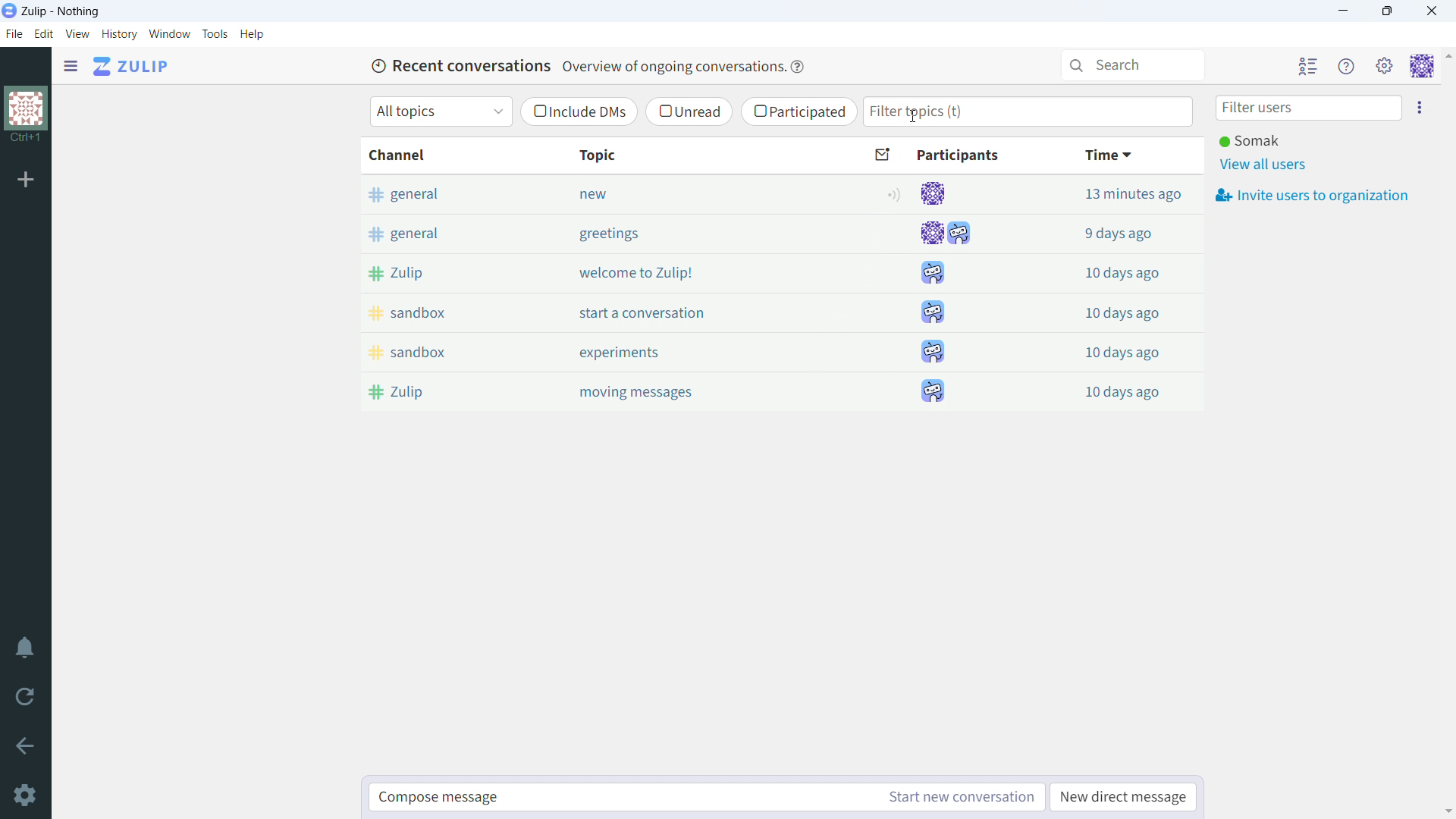 The width and height of the screenshot is (1456, 819). What do you see at coordinates (1388, 11) in the screenshot?
I see `maximize` at bounding box center [1388, 11].